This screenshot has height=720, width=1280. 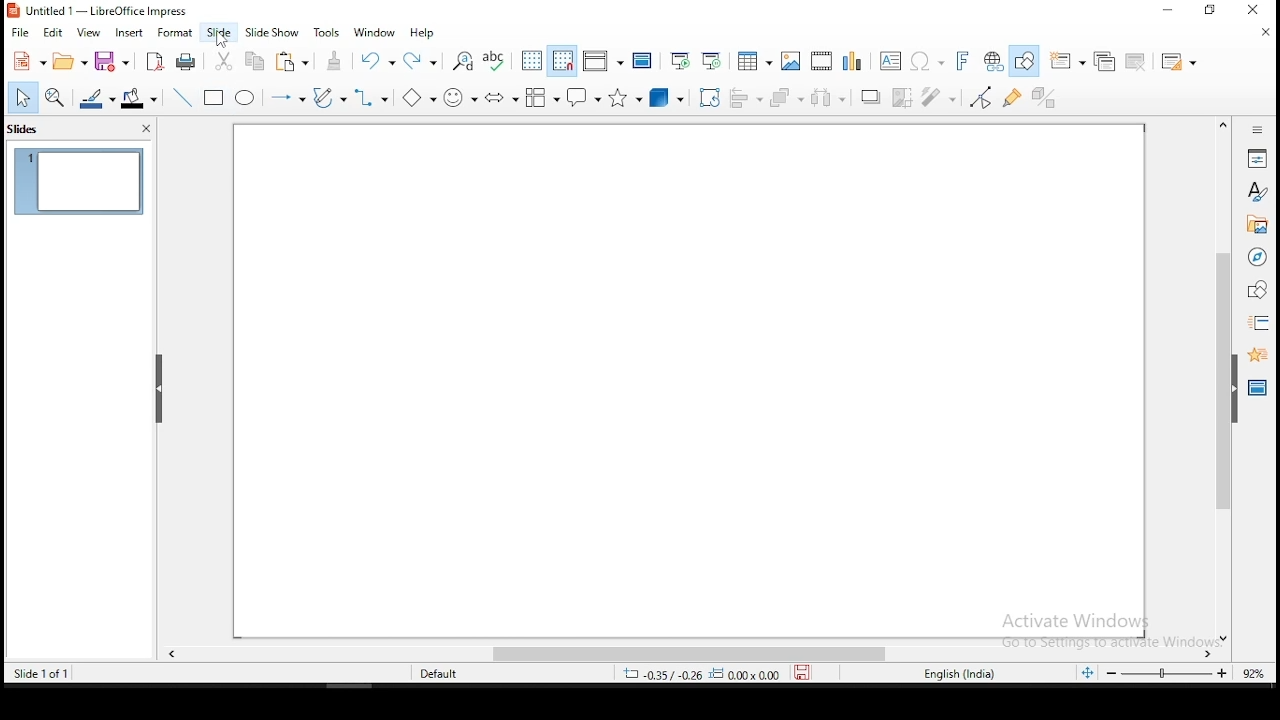 What do you see at coordinates (223, 39) in the screenshot?
I see `mouse pointer` at bounding box center [223, 39].